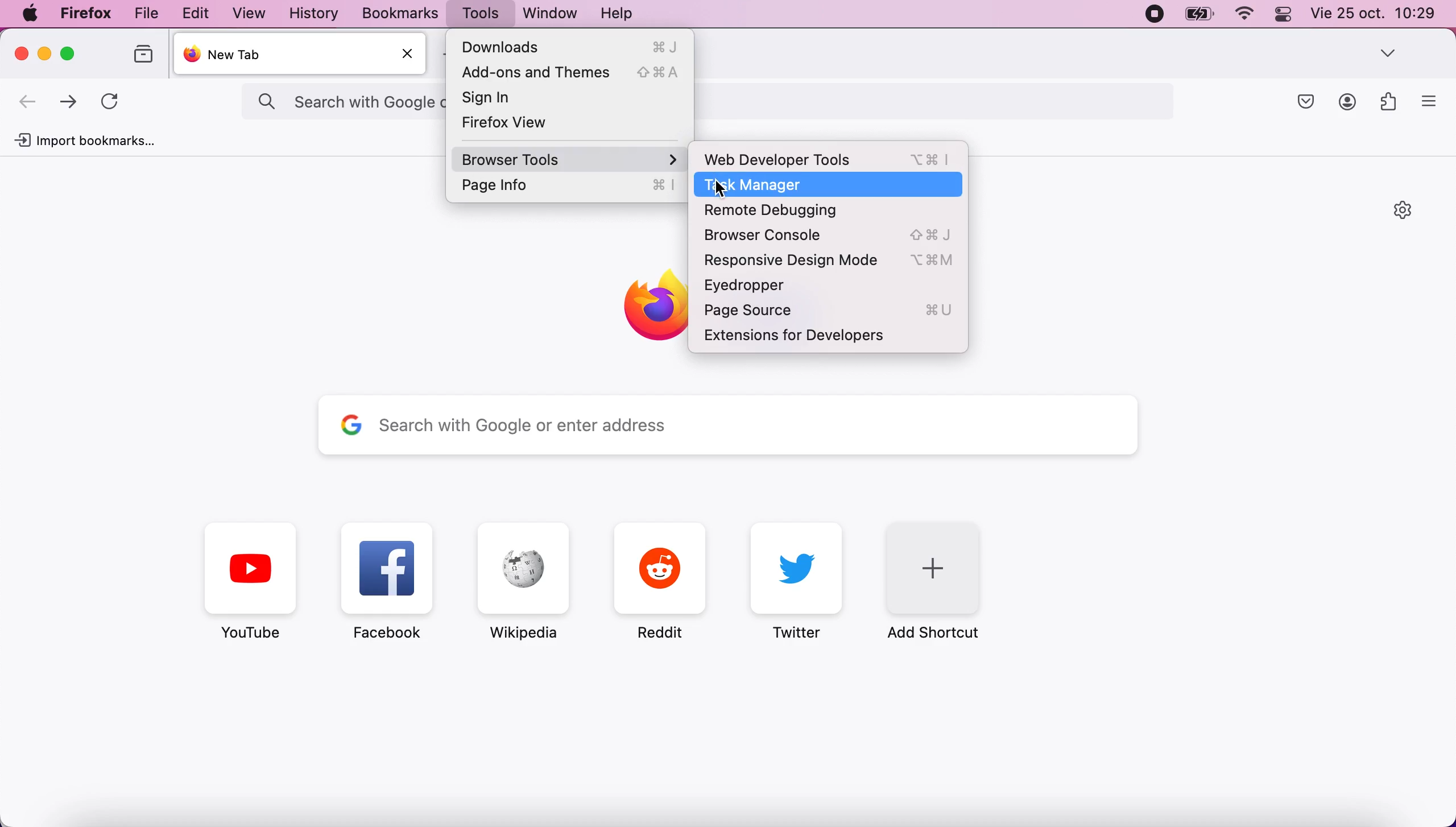 The height and width of the screenshot is (827, 1456). Describe the element at coordinates (797, 581) in the screenshot. I see `Twitter` at that location.